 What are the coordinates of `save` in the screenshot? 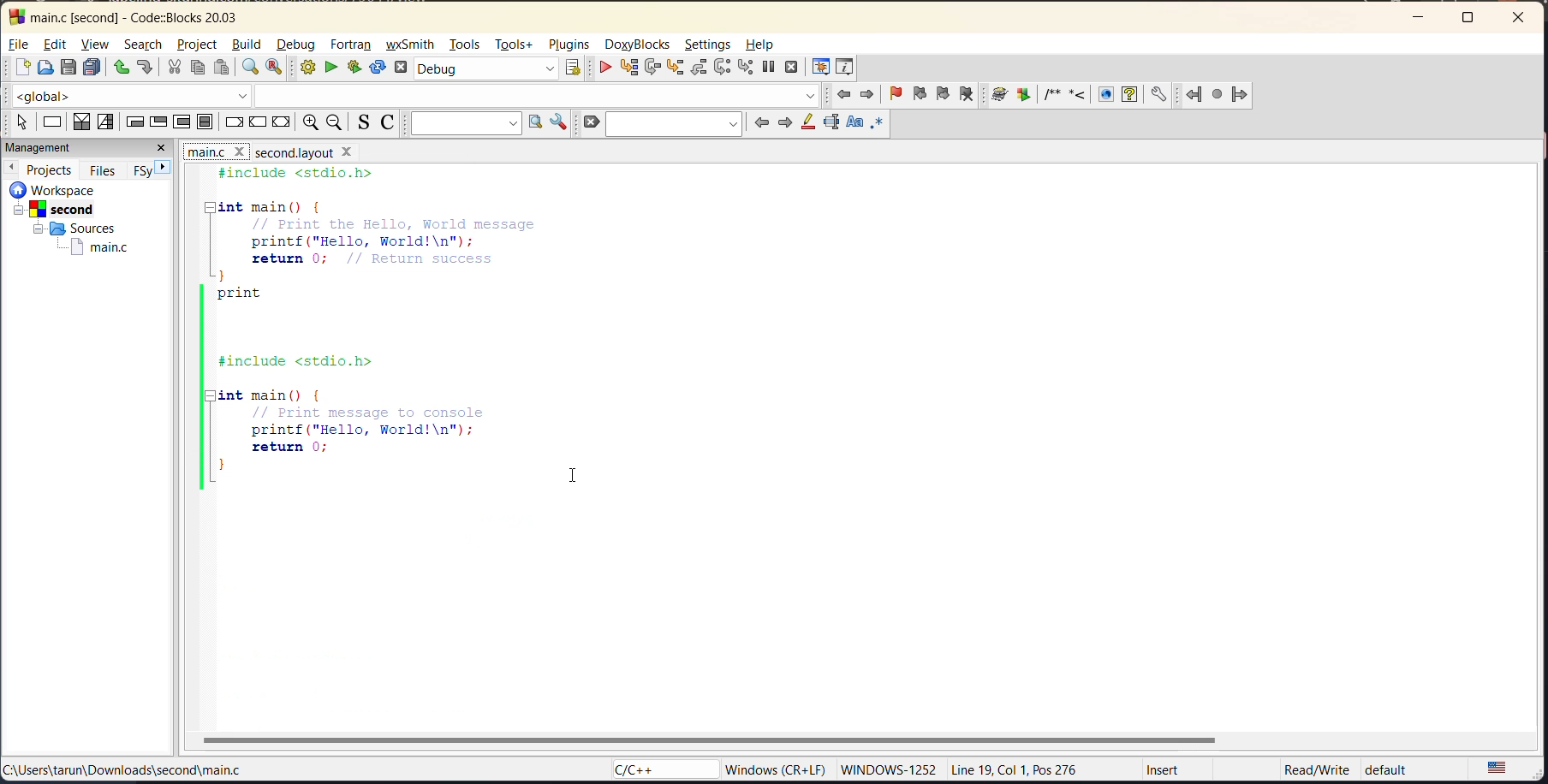 It's located at (69, 68).